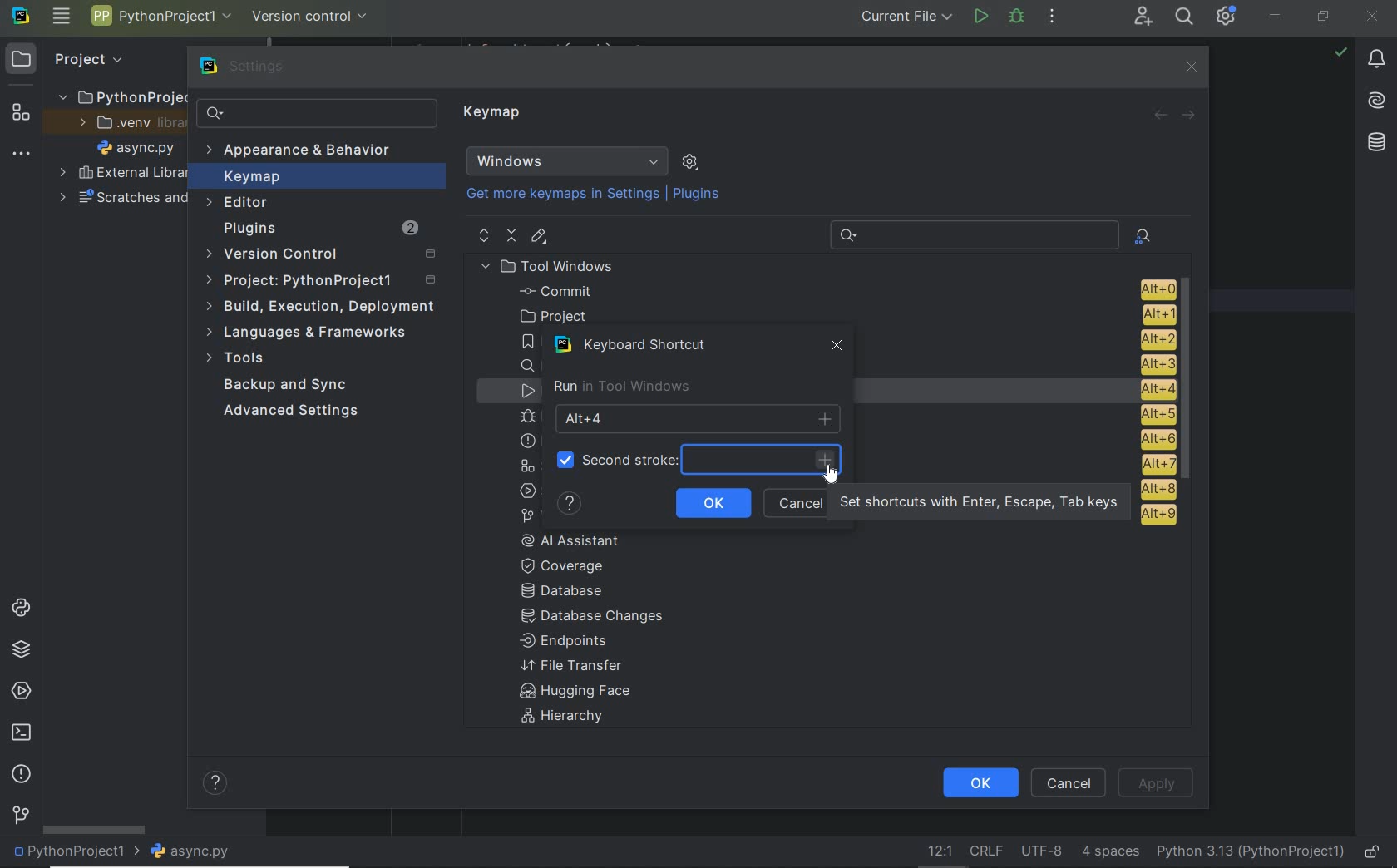 The width and height of the screenshot is (1397, 868). What do you see at coordinates (1191, 382) in the screenshot?
I see `scrollbar` at bounding box center [1191, 382].